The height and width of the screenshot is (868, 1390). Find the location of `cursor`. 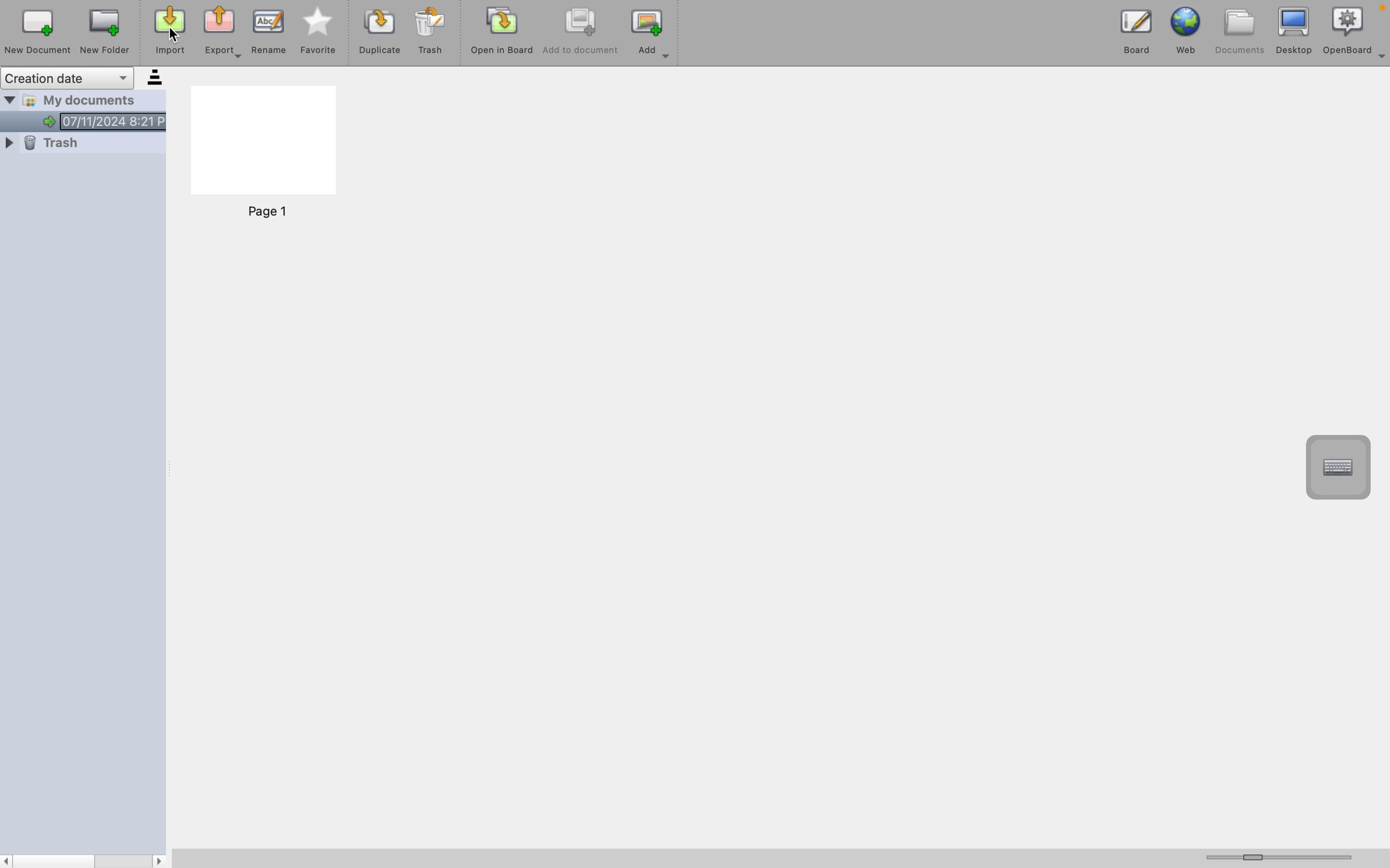

cursor is located at coordinates (175, 32).